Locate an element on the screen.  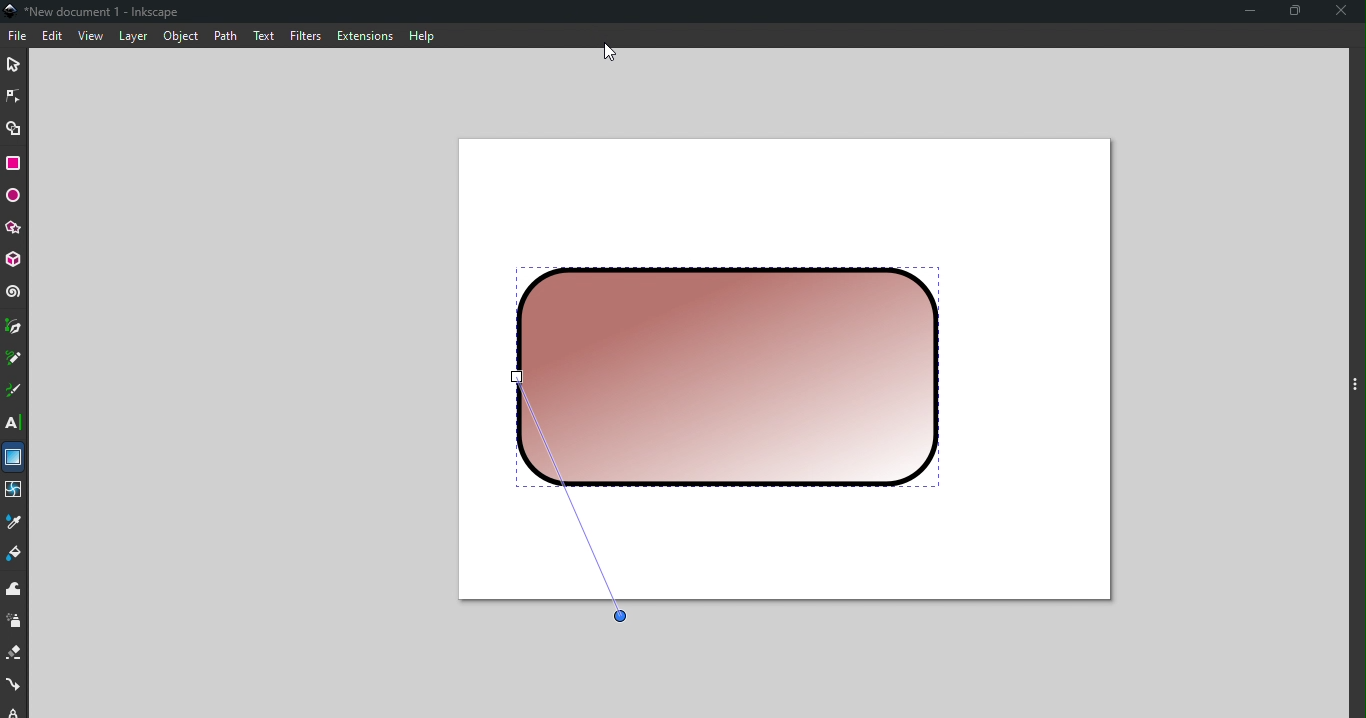
Minimize is located at coordinates (1245, 13).